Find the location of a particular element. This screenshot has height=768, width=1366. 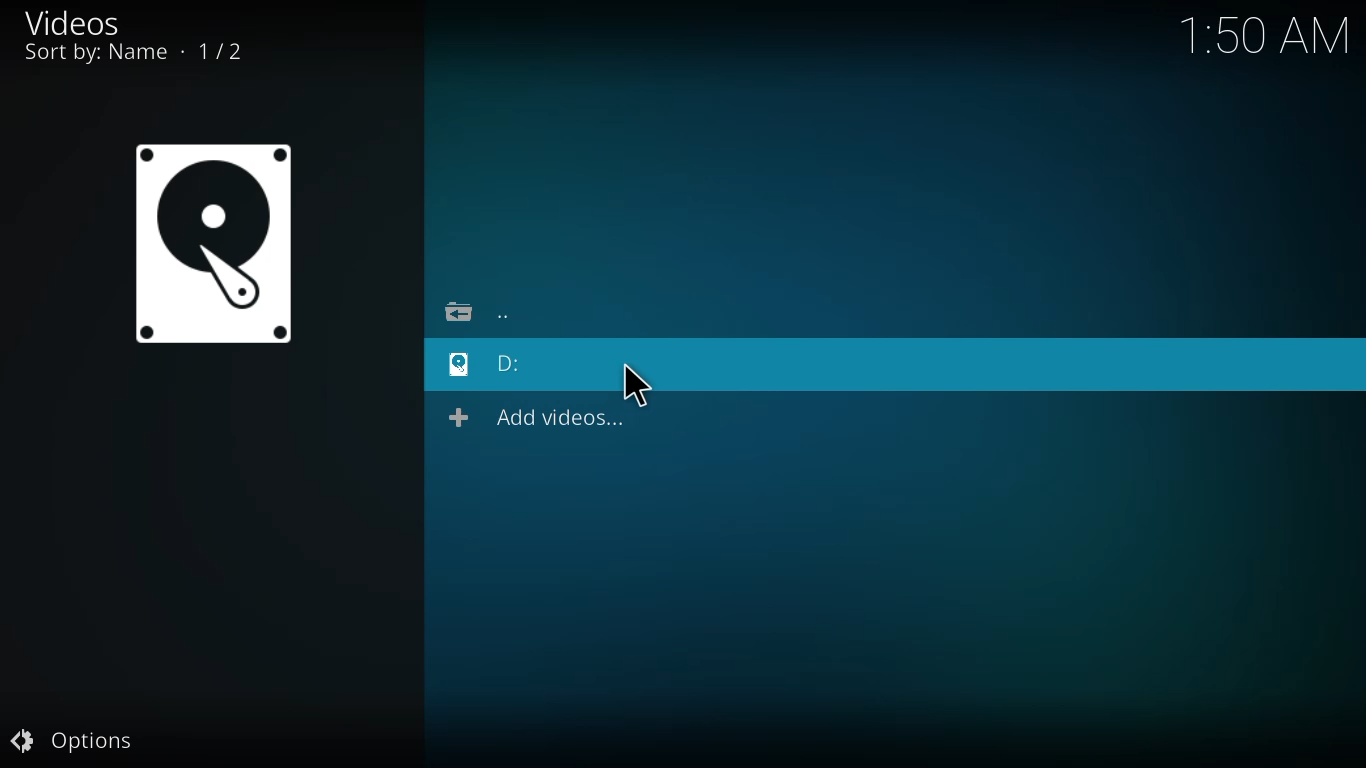

d drive added is located at coordinates (510, 365).